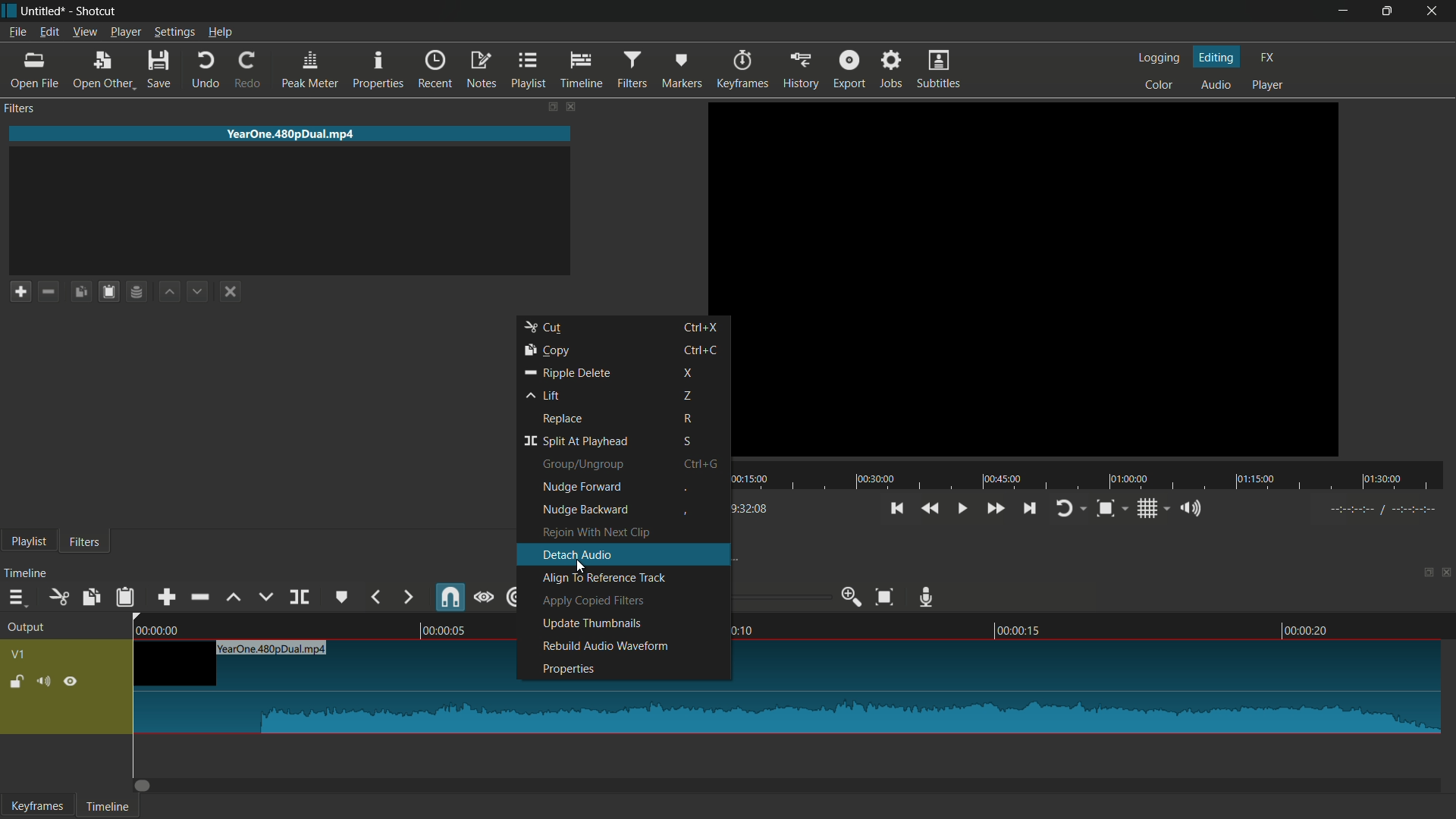 This screenshot has width=1456, height=819. I want to click on mute, so click(44, 682).